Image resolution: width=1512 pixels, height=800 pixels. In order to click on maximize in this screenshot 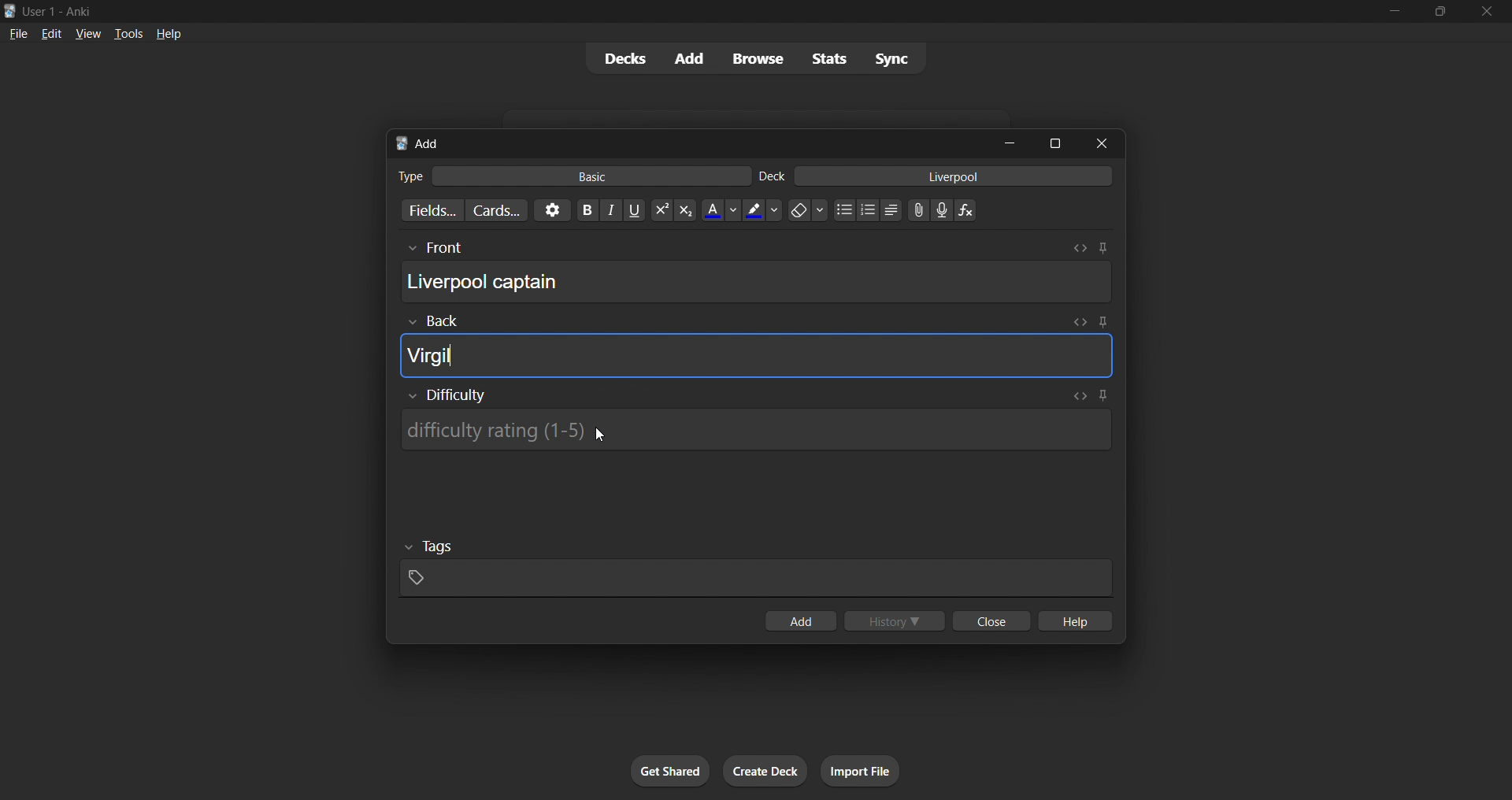, I will do `click(1054, 143)`.